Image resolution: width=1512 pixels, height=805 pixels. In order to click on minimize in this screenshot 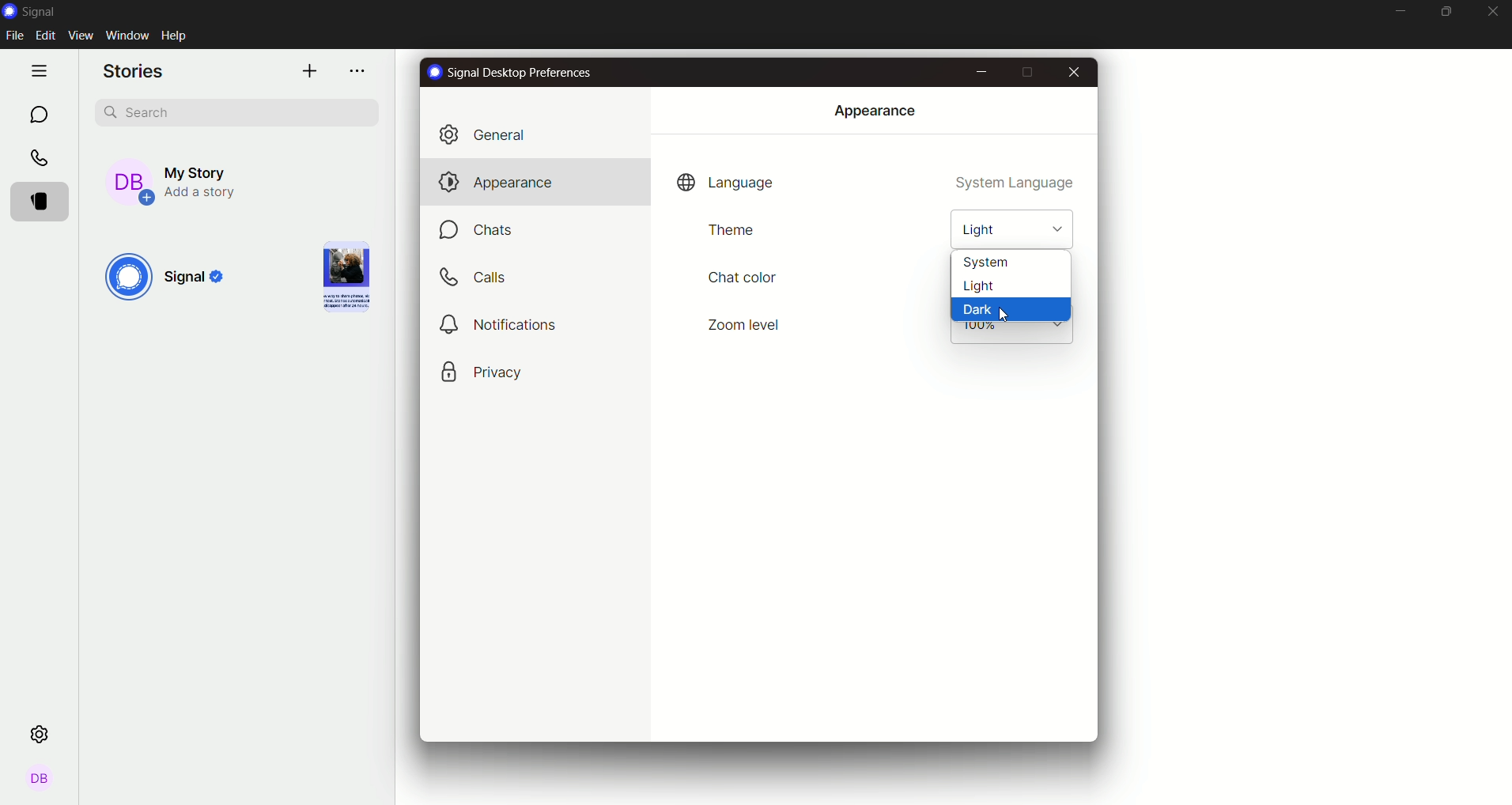, I will do `click(981, 70)`.